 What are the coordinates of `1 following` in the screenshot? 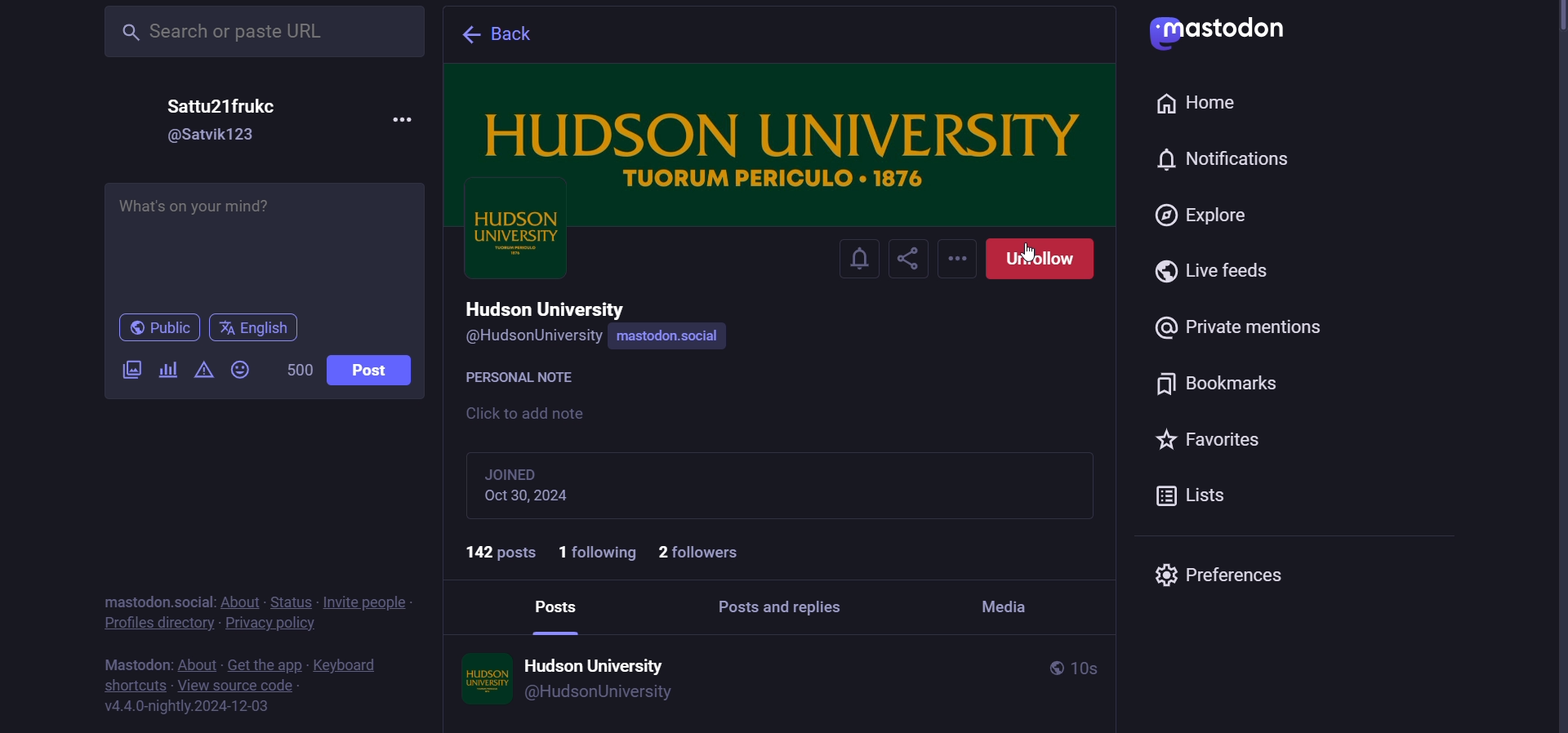 It's located at (599, 553).